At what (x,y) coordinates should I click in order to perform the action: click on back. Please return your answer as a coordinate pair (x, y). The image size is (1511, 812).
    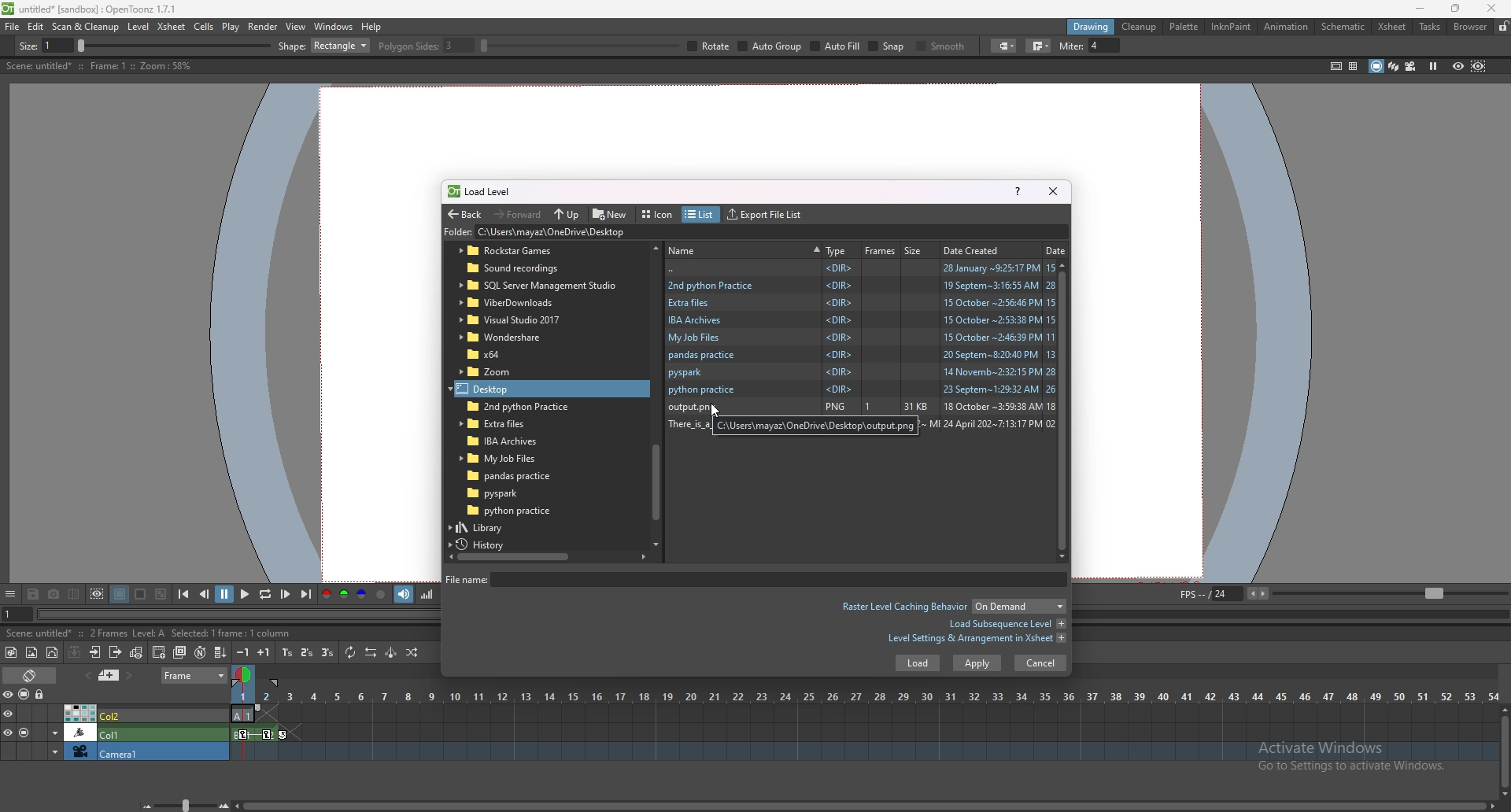
    Looking at the image, I should click on (464, 215).